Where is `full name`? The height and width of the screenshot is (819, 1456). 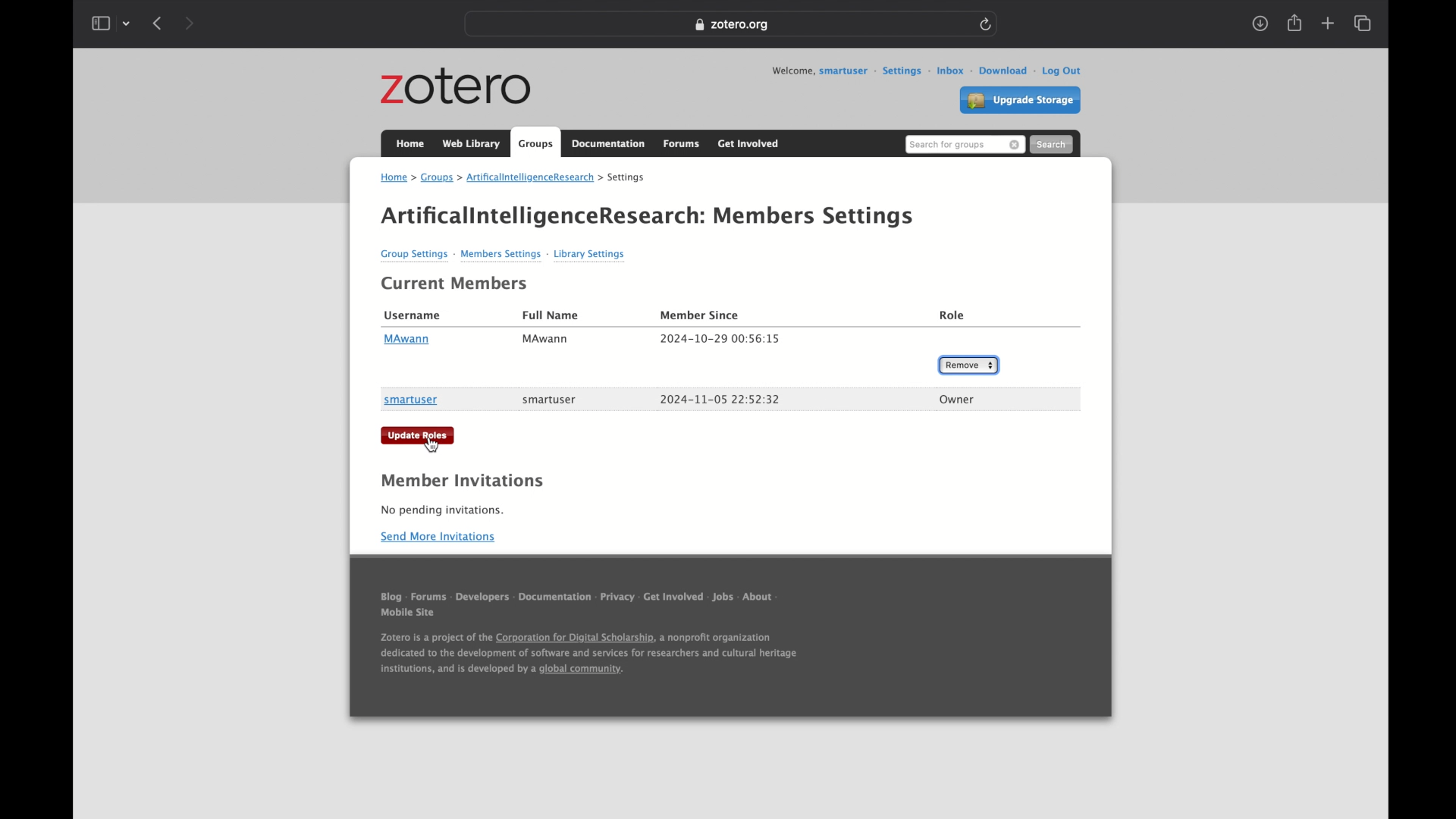
full name is located at coordinates (551, 315).